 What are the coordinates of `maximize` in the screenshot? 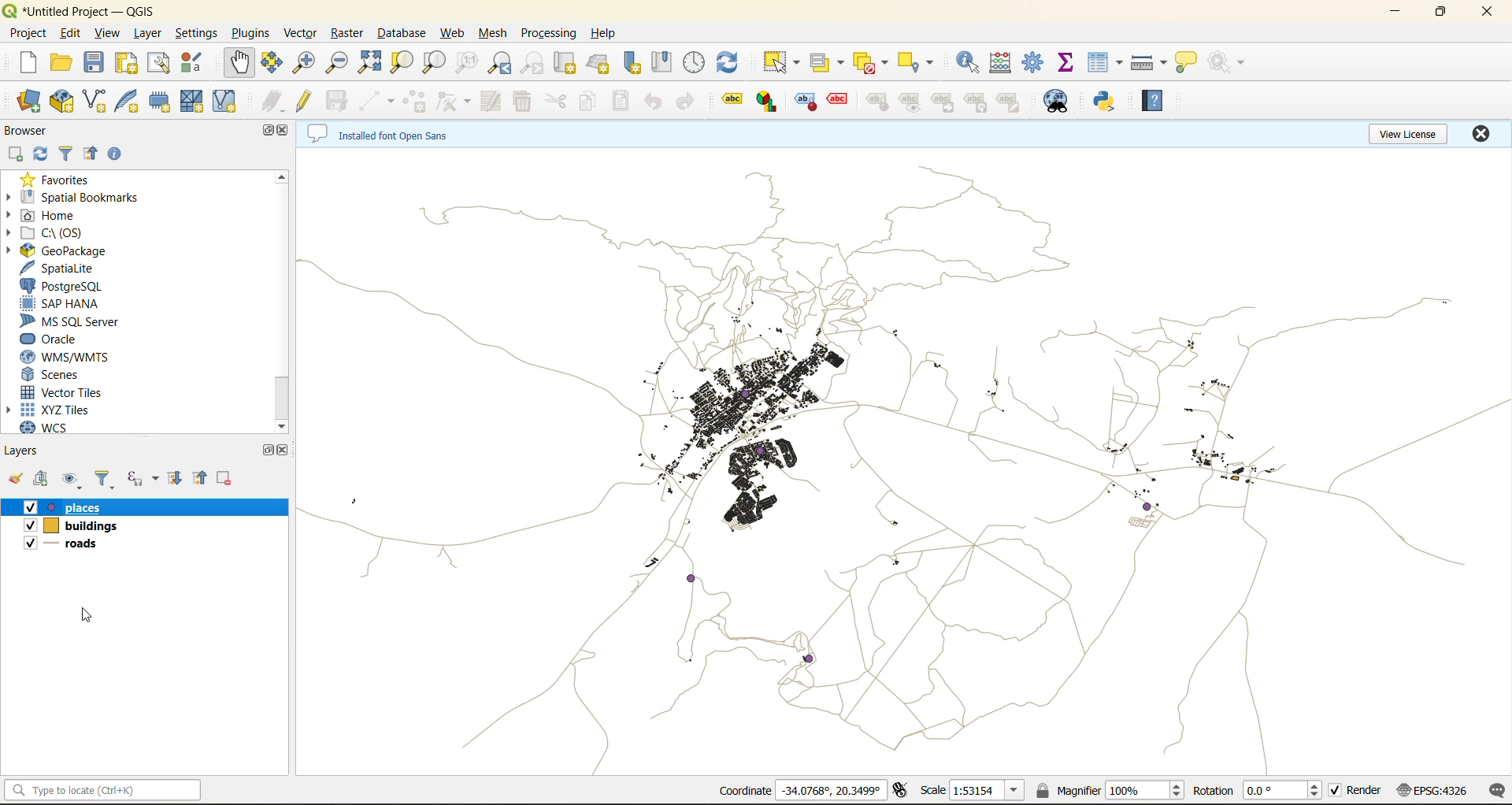 It's located at (270, 450).